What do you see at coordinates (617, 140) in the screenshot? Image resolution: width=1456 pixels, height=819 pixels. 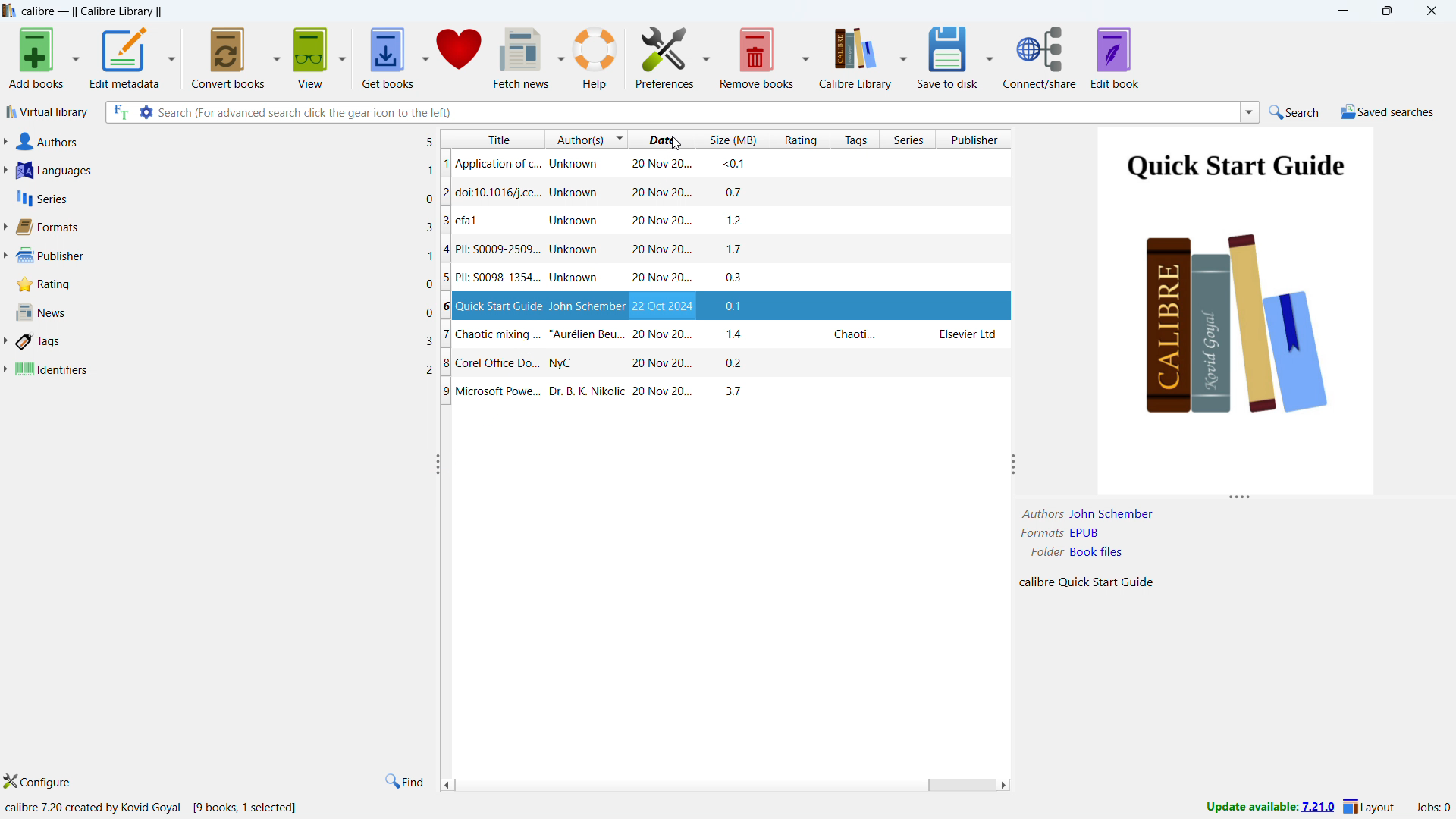 I see `select sorting order` at bounding box center [617, 140].